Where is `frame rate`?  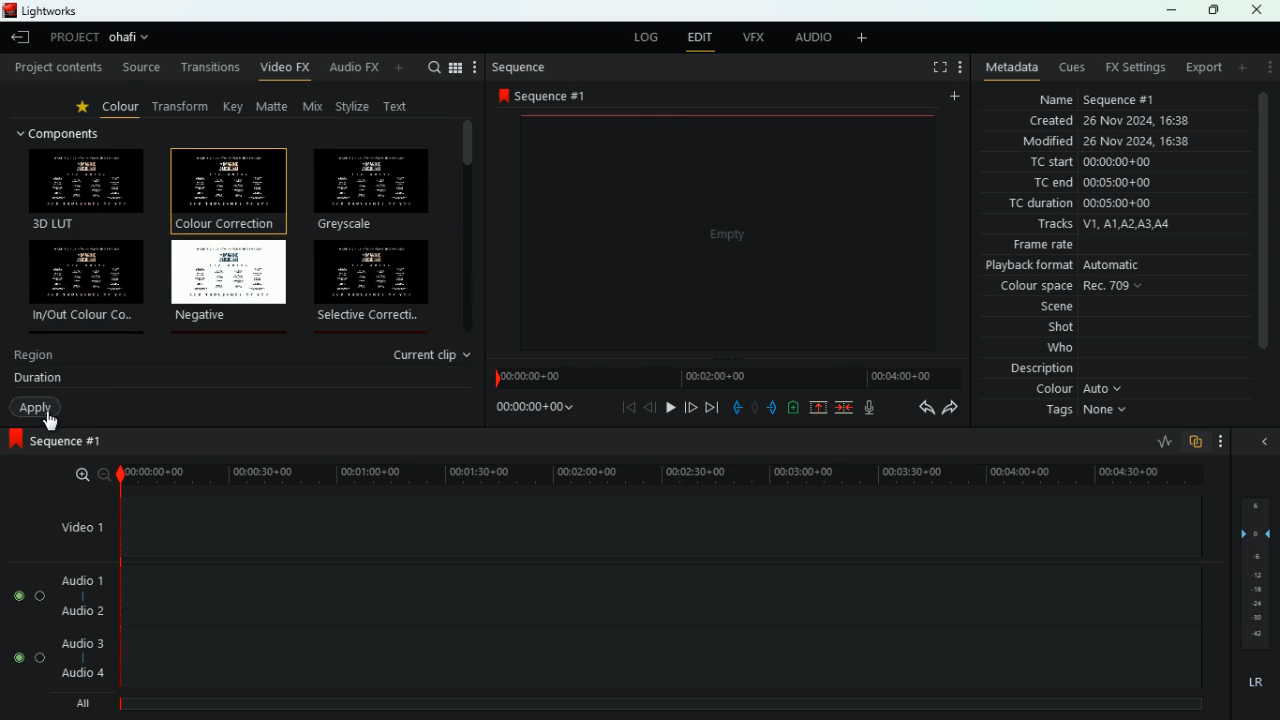 frame rate is located at coordinates (1110, 245).